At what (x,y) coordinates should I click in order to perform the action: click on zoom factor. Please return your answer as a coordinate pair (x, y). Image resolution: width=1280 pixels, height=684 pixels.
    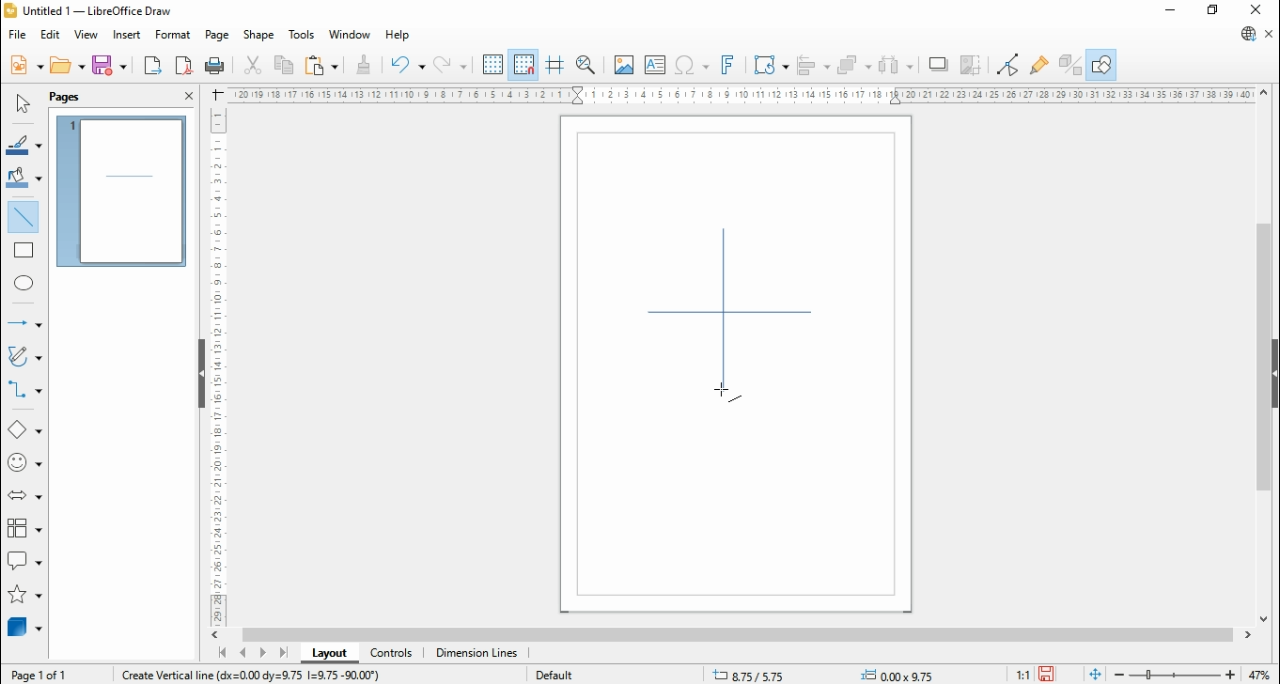
    Looking at the image, I should click on (1262, 674).